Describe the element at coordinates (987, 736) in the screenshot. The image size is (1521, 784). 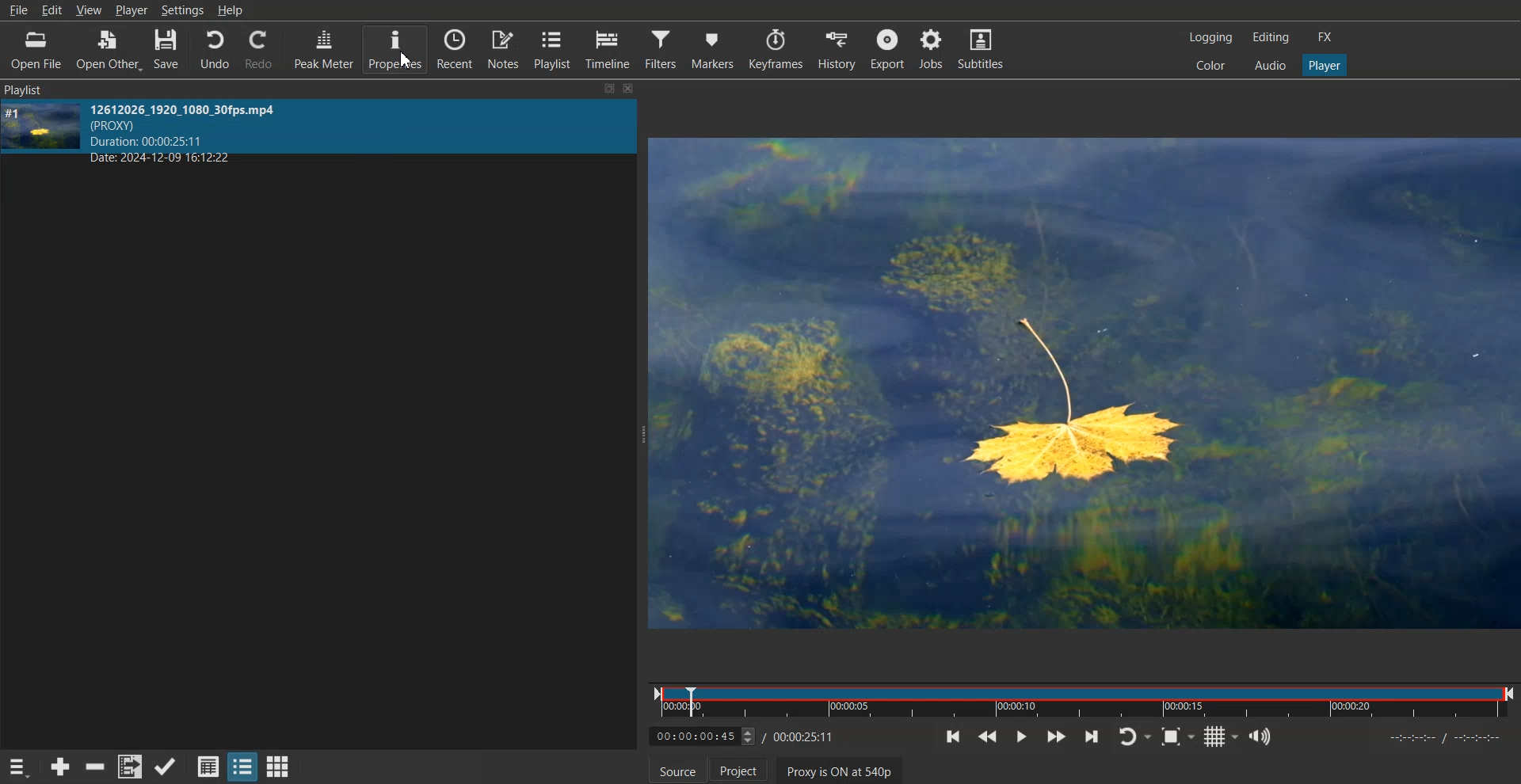
I see `Play Backward` at that location.